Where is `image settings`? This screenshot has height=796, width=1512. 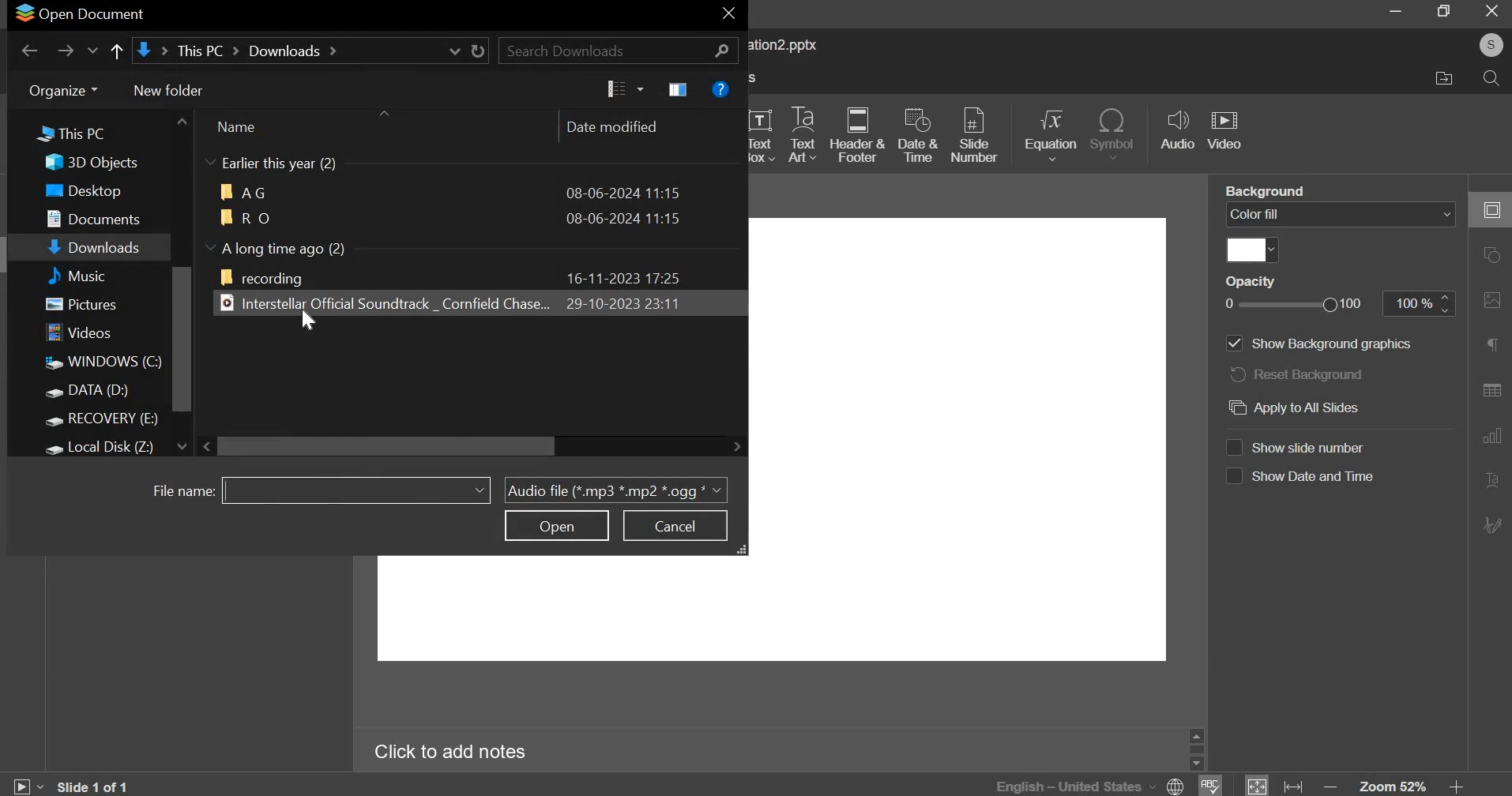 image settings is located at coordinates (1493, 300).